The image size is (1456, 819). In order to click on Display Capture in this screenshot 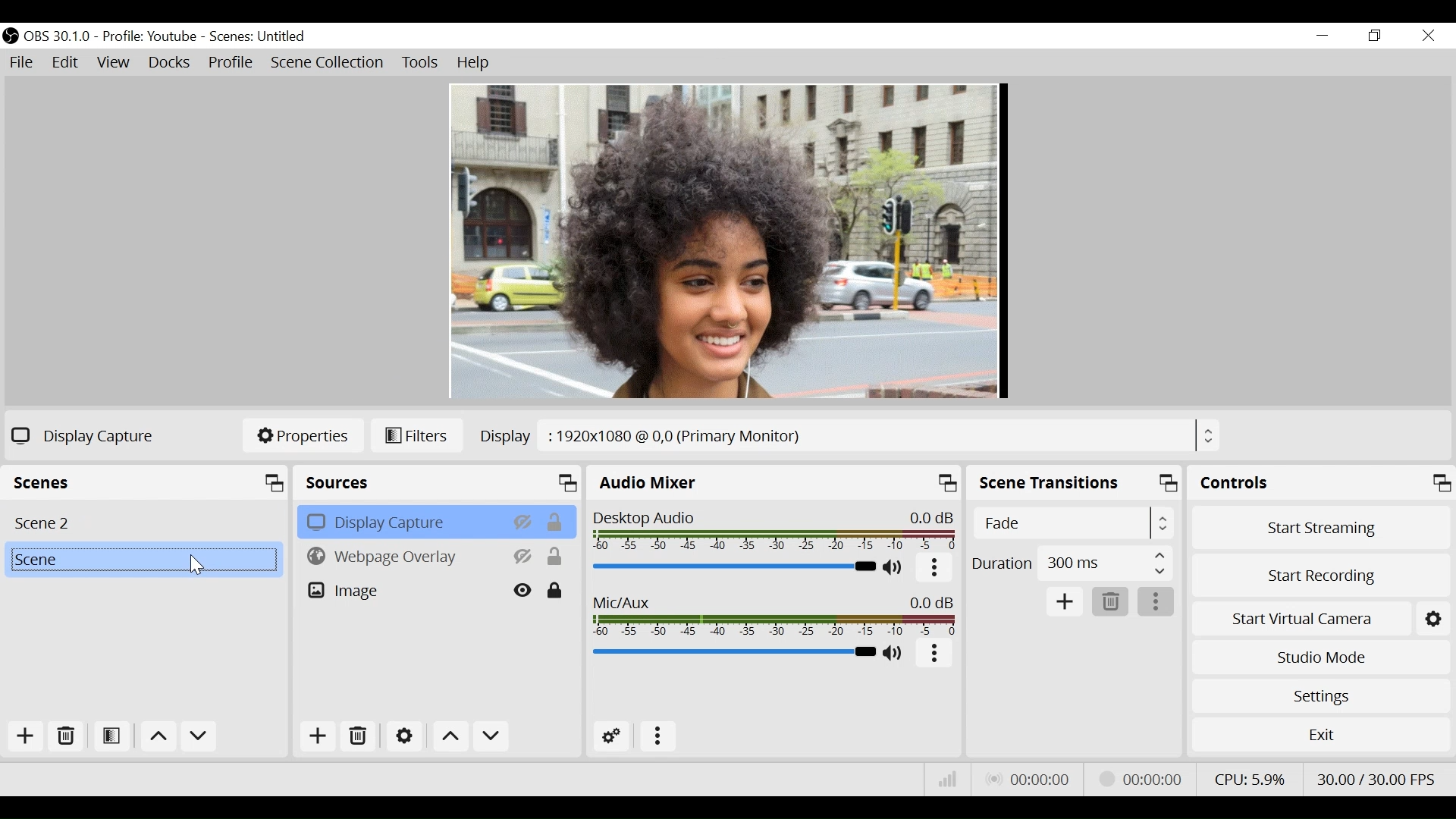, I will do `click(401, 521)`.